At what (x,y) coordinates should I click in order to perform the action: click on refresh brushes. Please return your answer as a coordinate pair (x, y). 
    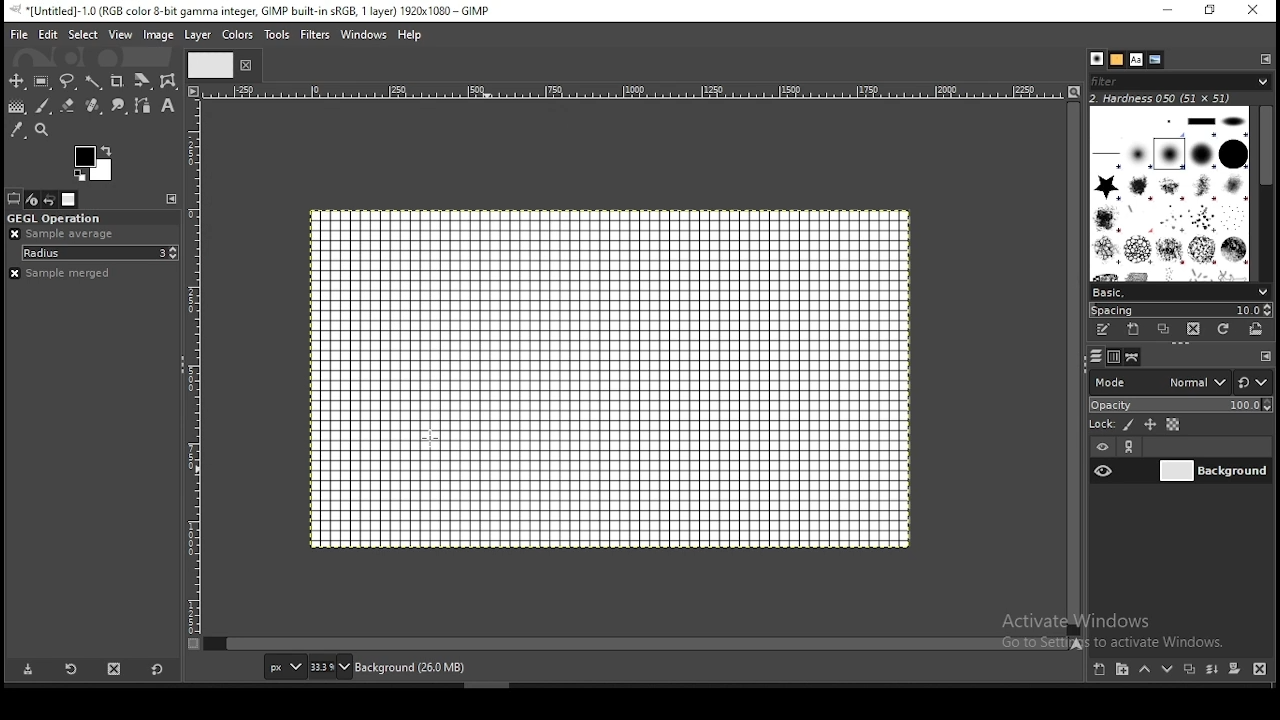
    Looking at the image, I should click on (1224, 330).